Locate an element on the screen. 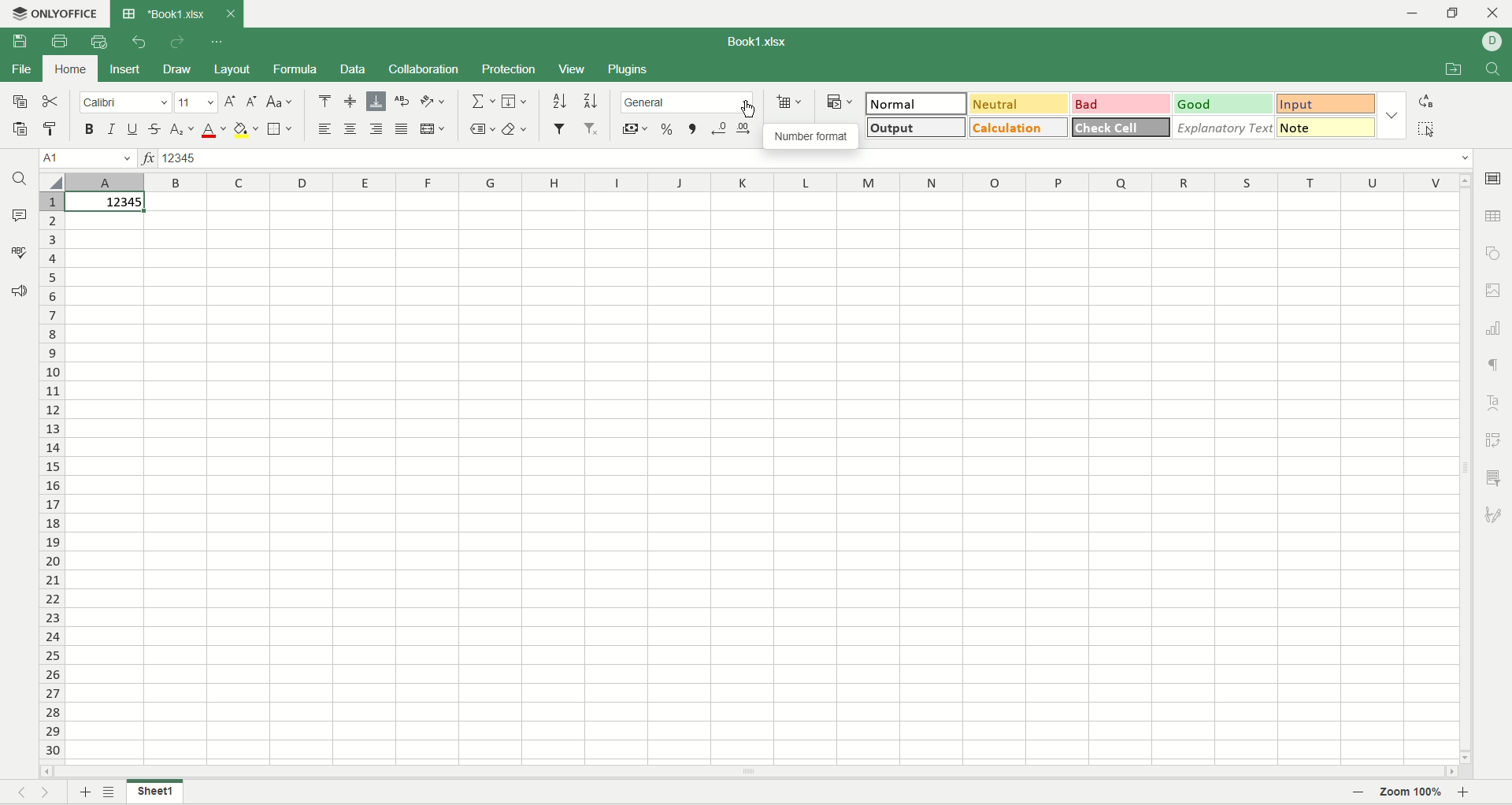 The height and width of the screenshot is (805, 1512). strikethrough is located at coordinates (155, 128).